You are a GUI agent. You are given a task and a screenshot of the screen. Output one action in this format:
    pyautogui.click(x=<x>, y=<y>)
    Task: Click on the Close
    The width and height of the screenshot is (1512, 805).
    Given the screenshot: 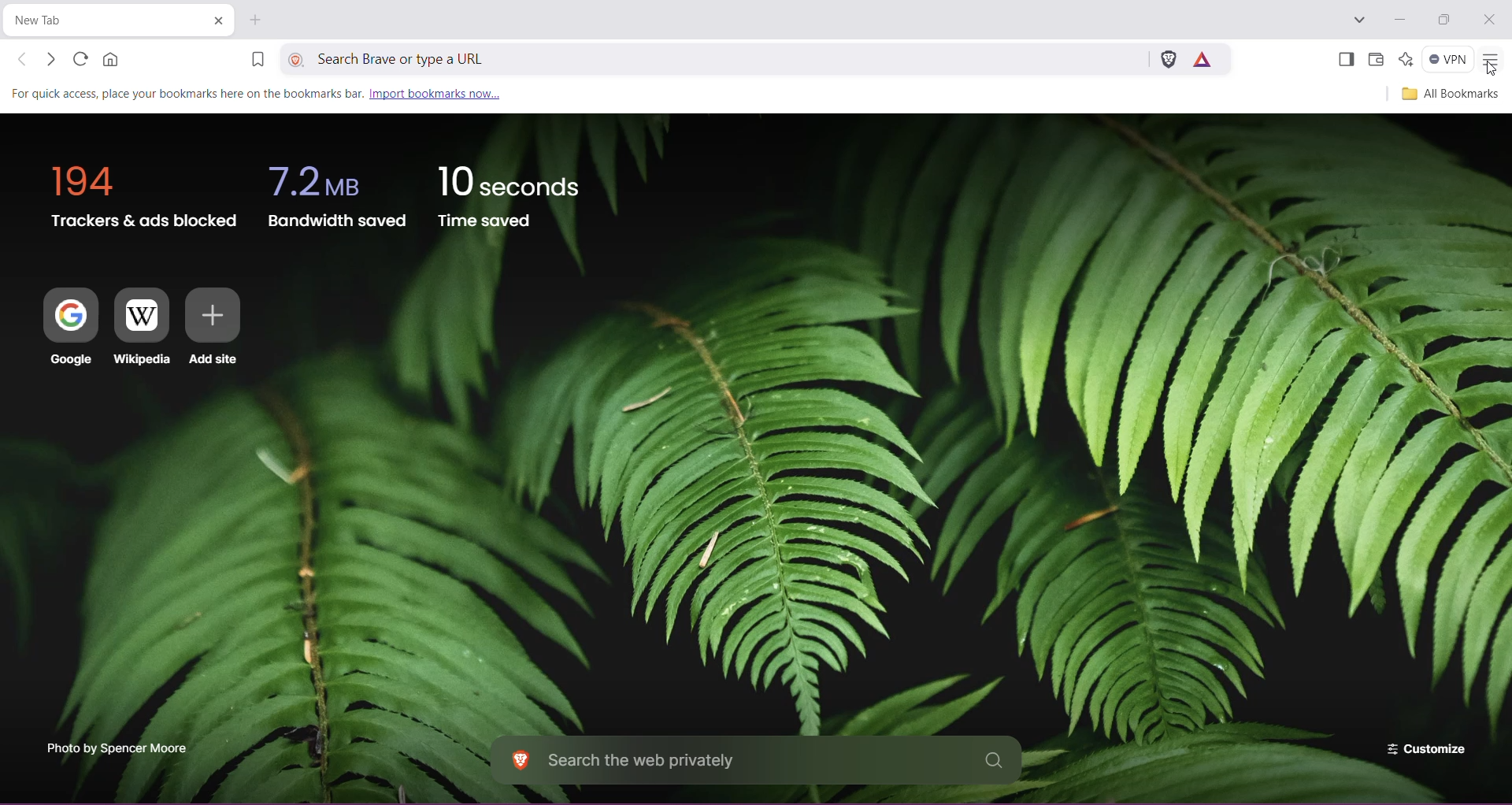 What is the action you would take?
    pyautogui.click(x=1489, y=20)
    